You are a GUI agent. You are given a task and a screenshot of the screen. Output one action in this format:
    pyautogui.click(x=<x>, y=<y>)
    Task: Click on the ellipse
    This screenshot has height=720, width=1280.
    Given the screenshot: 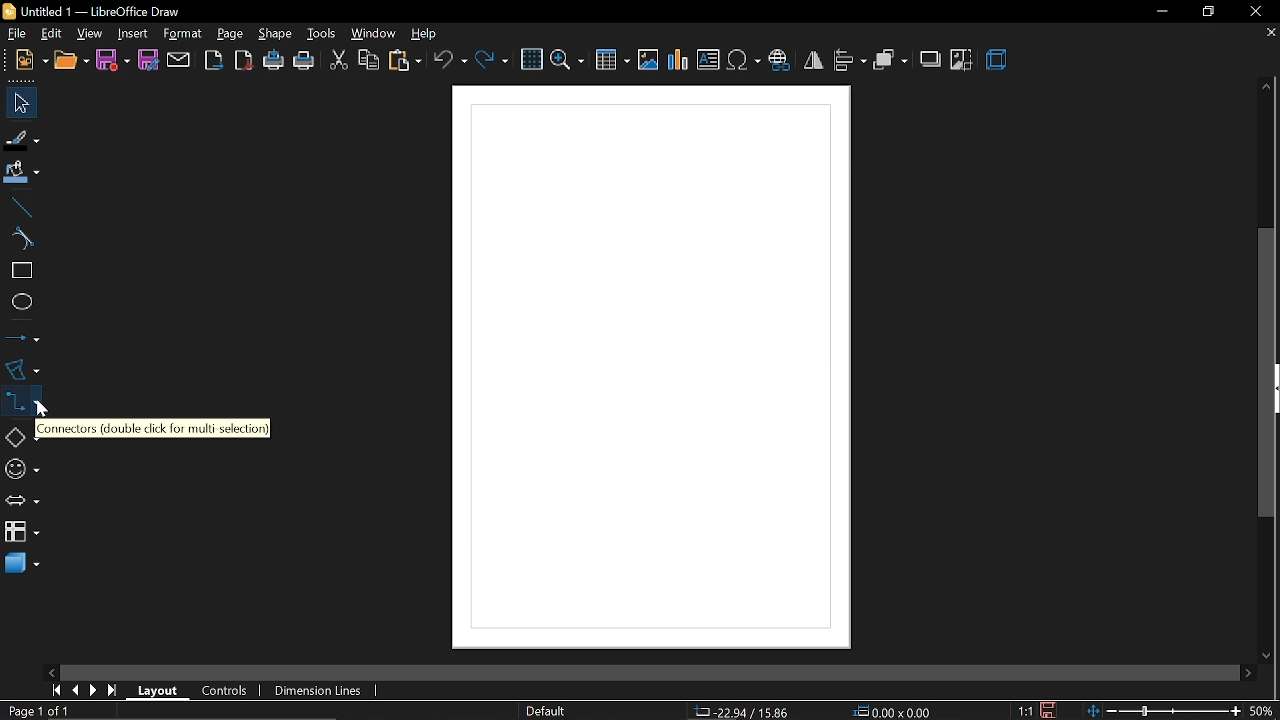 What is the action you would take?
    pyautogui.click(x=18, y=300)
    